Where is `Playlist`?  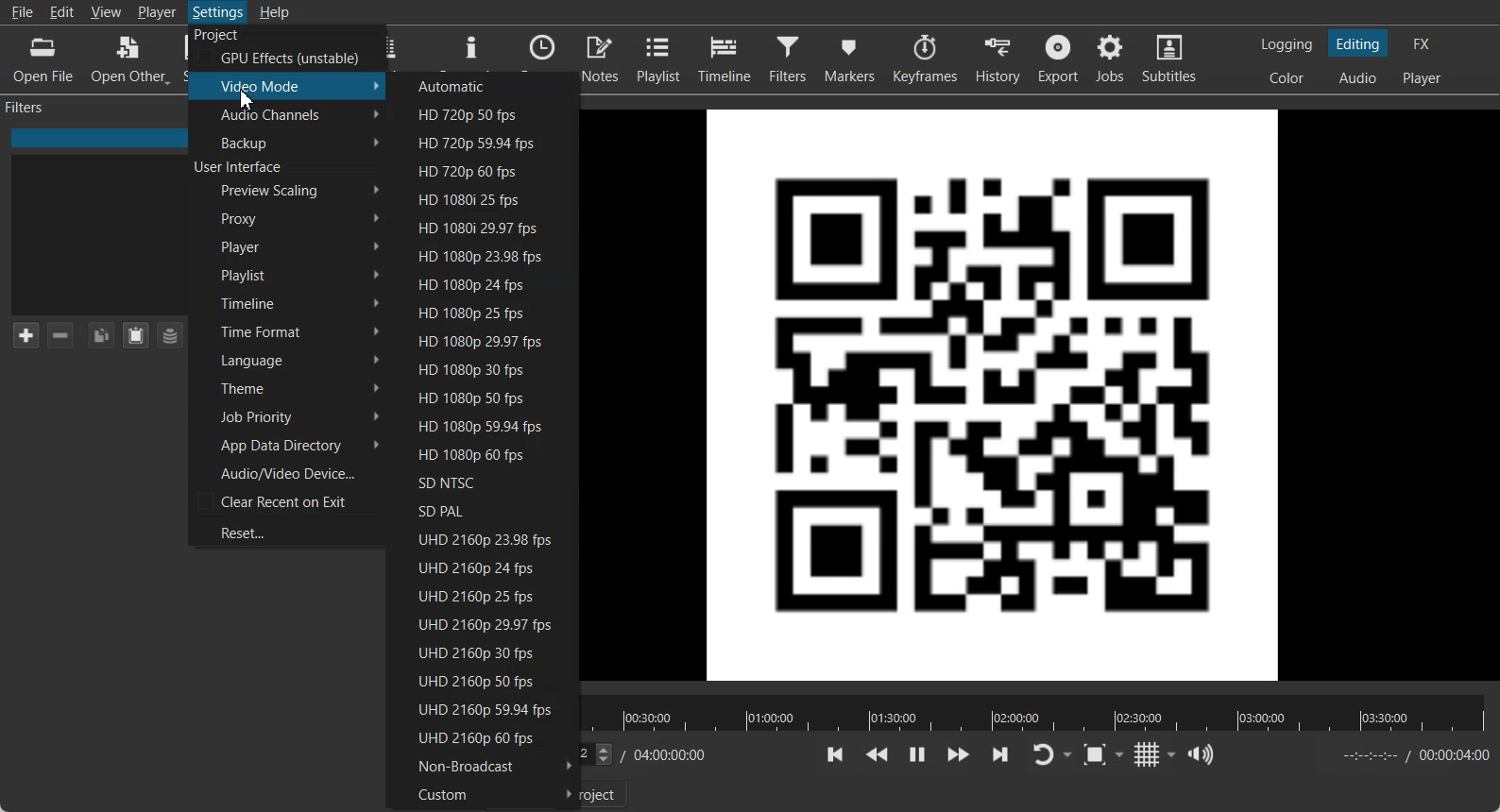
Playlist is located at coordinates (659, 58).